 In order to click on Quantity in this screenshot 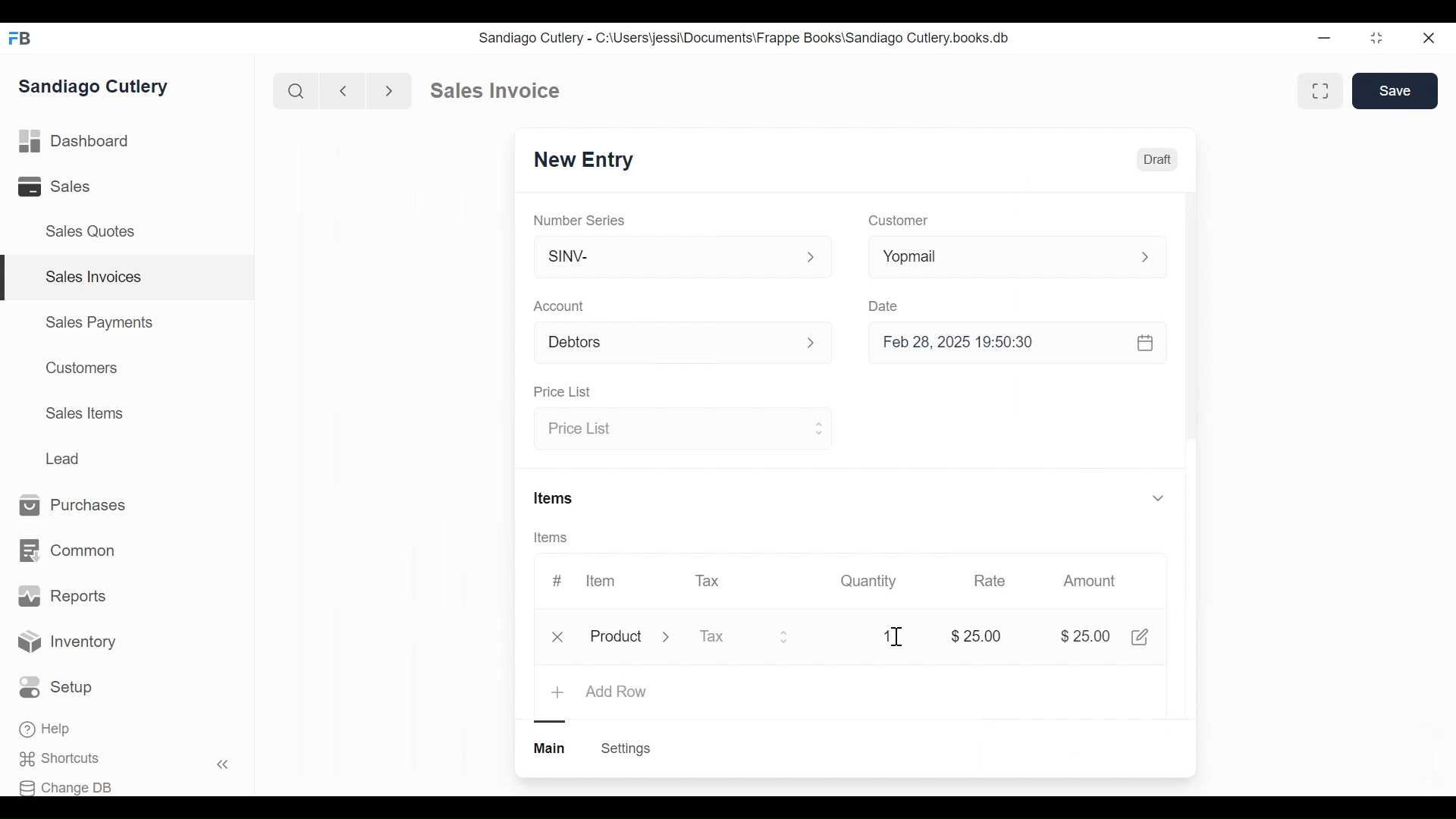, I will do `click(870, 581)`.